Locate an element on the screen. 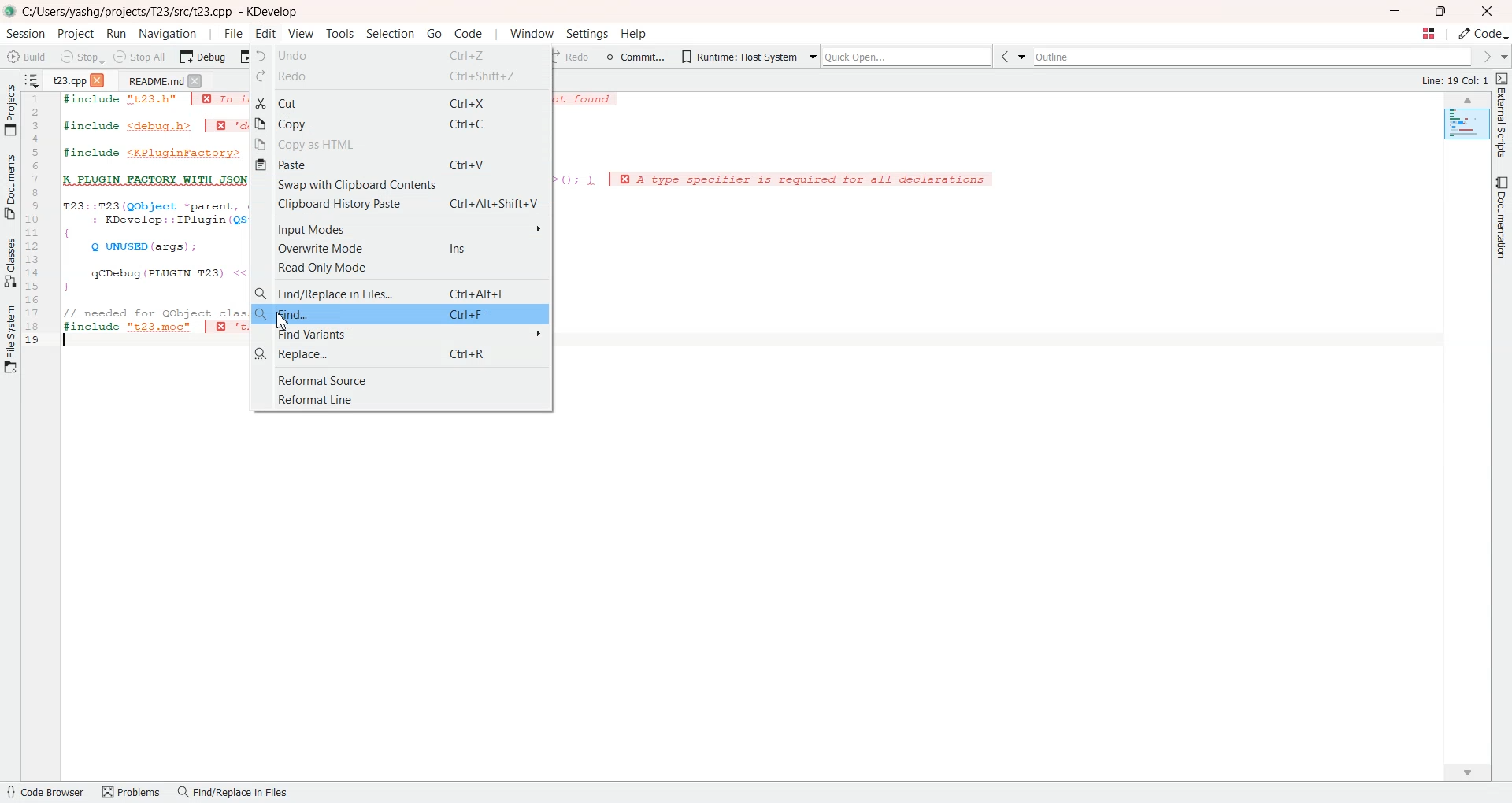  Classes is located at coordinates (10, 261).